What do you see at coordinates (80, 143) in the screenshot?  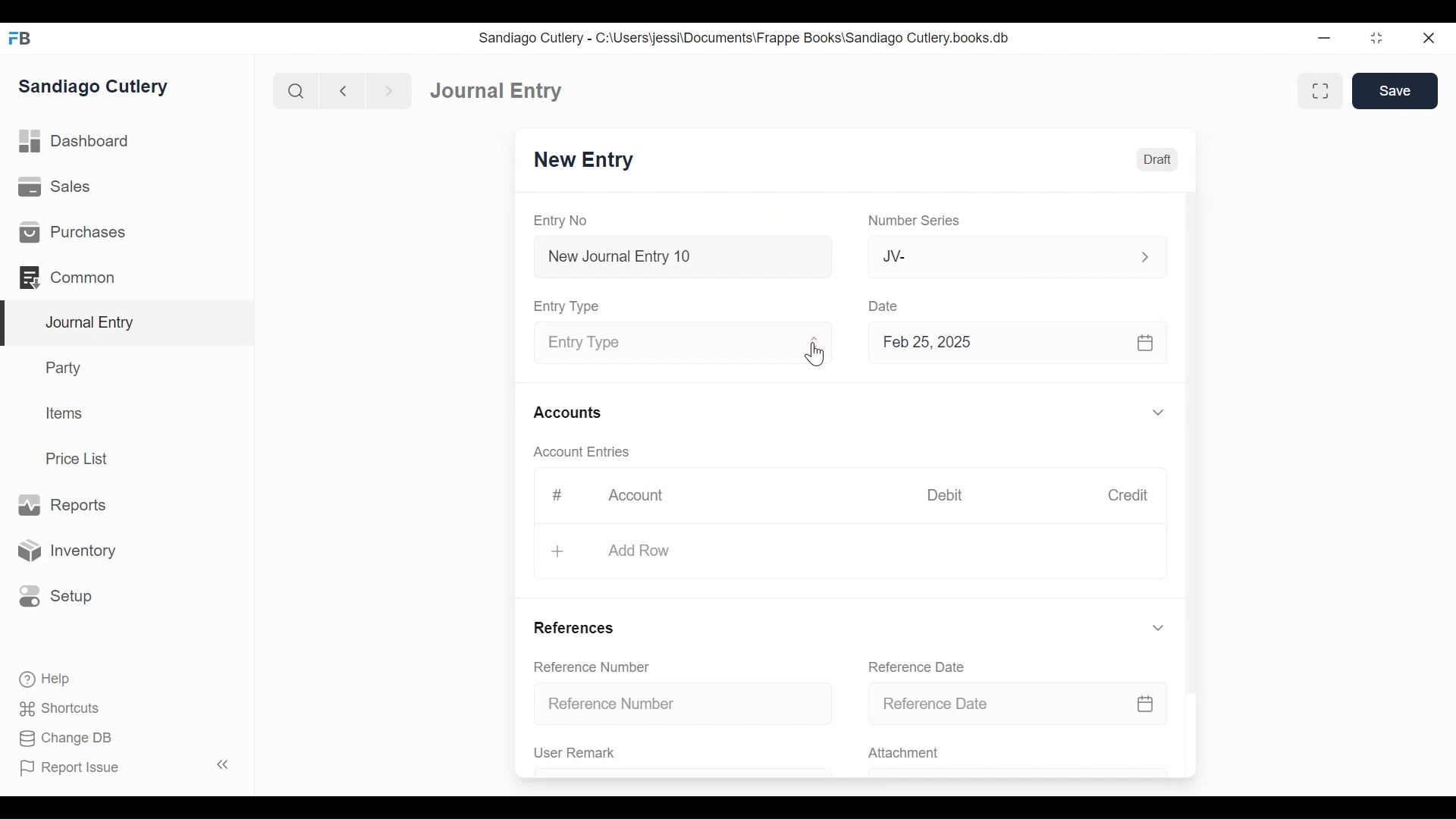 I see `Dashboard` at bounding box center [80, 143].